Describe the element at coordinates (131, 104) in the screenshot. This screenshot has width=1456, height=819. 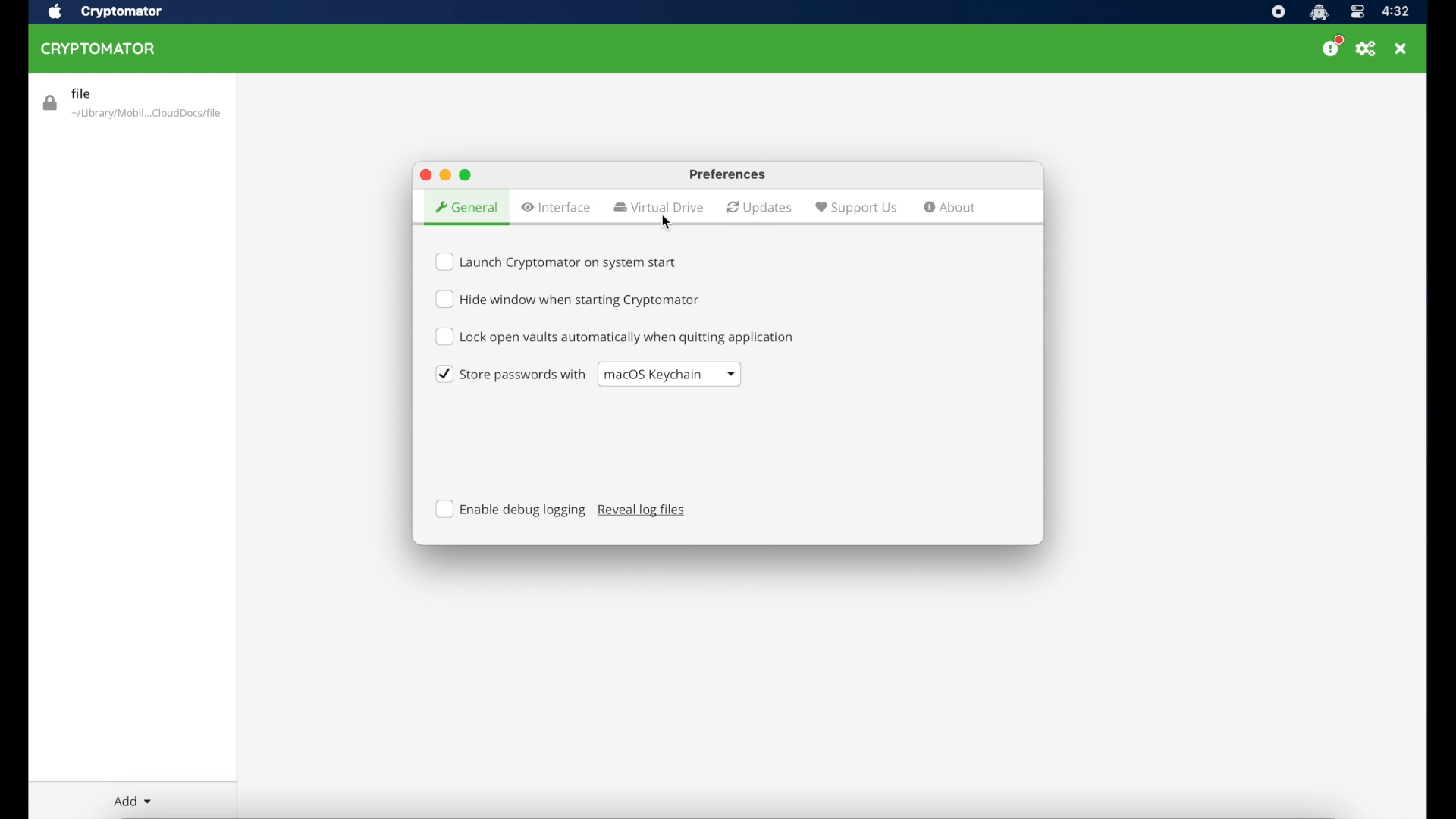
I see `file` at that location.